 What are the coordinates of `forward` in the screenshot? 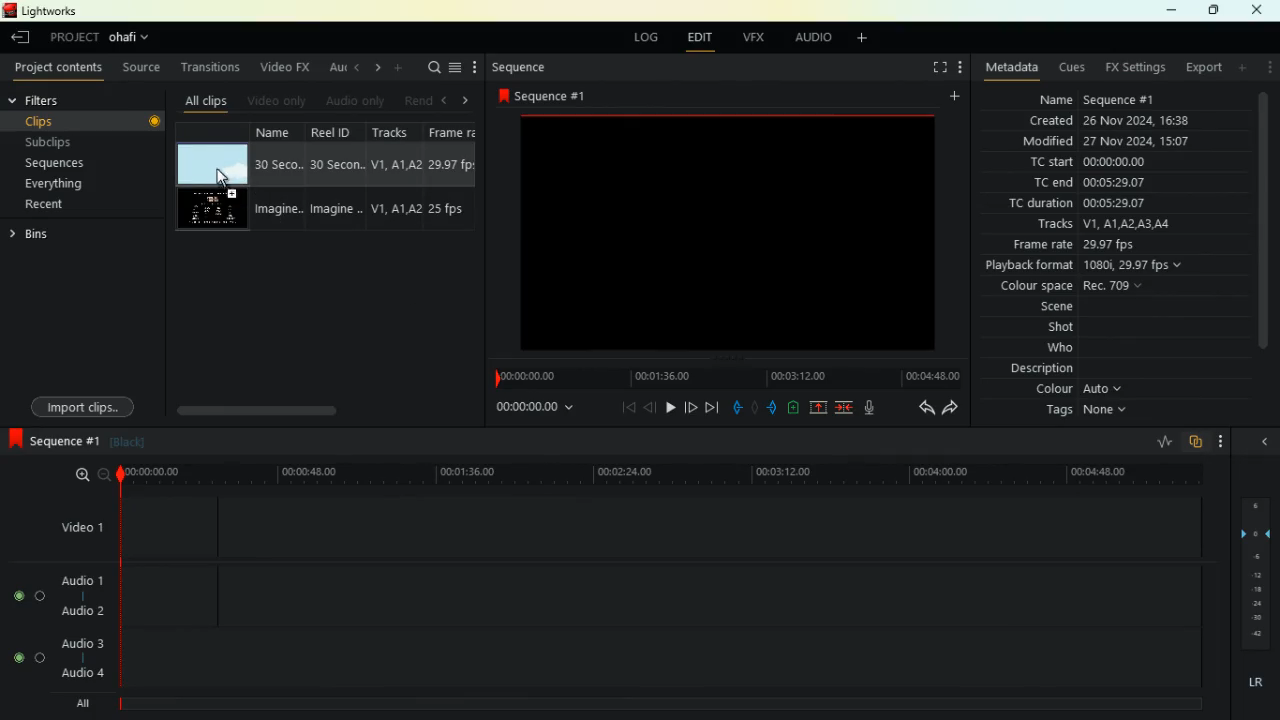 It's located at (954, 411).